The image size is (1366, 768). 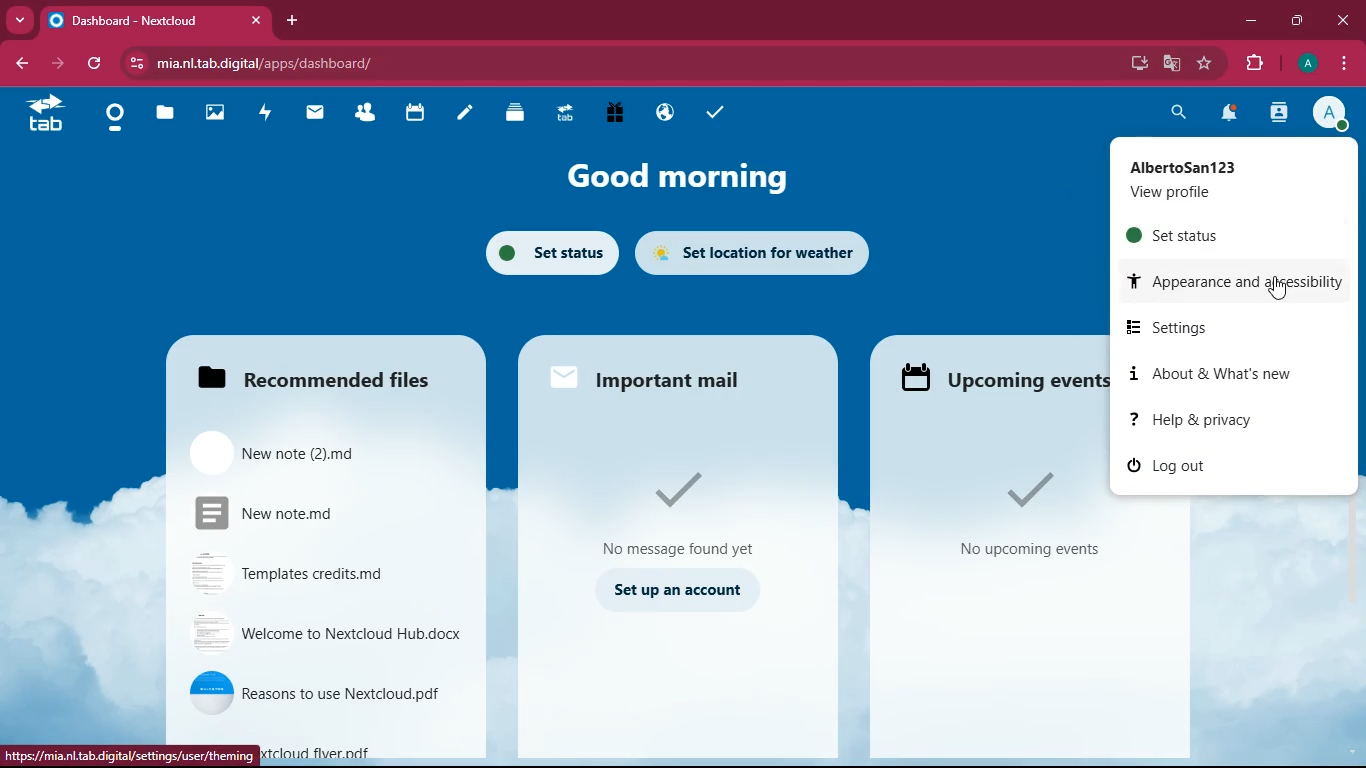 I want to click on desktop, so click(x=1135, y=63).